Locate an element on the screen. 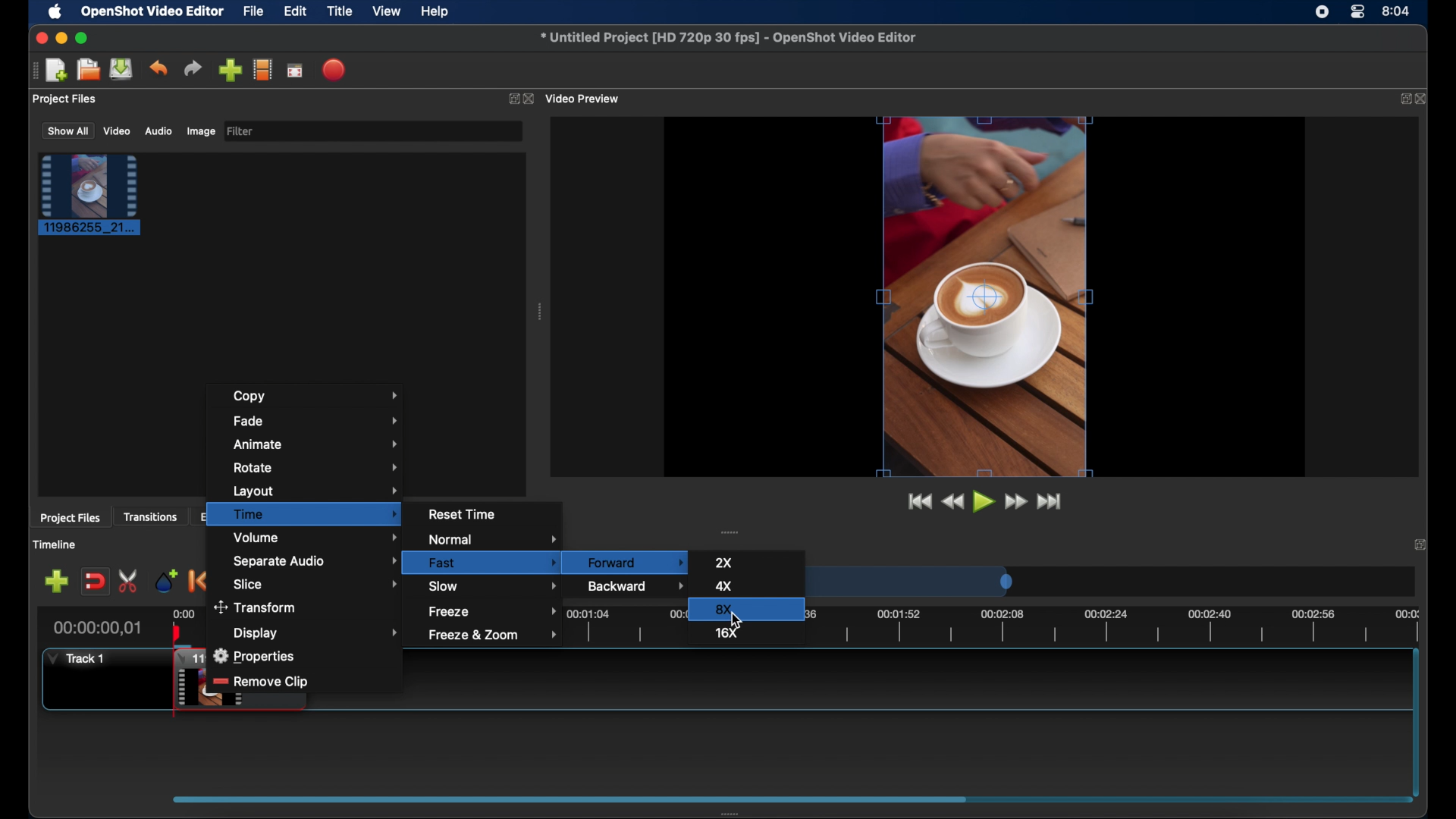 The image size is (1456, 819). 16x is located at coordinates (730, 632).